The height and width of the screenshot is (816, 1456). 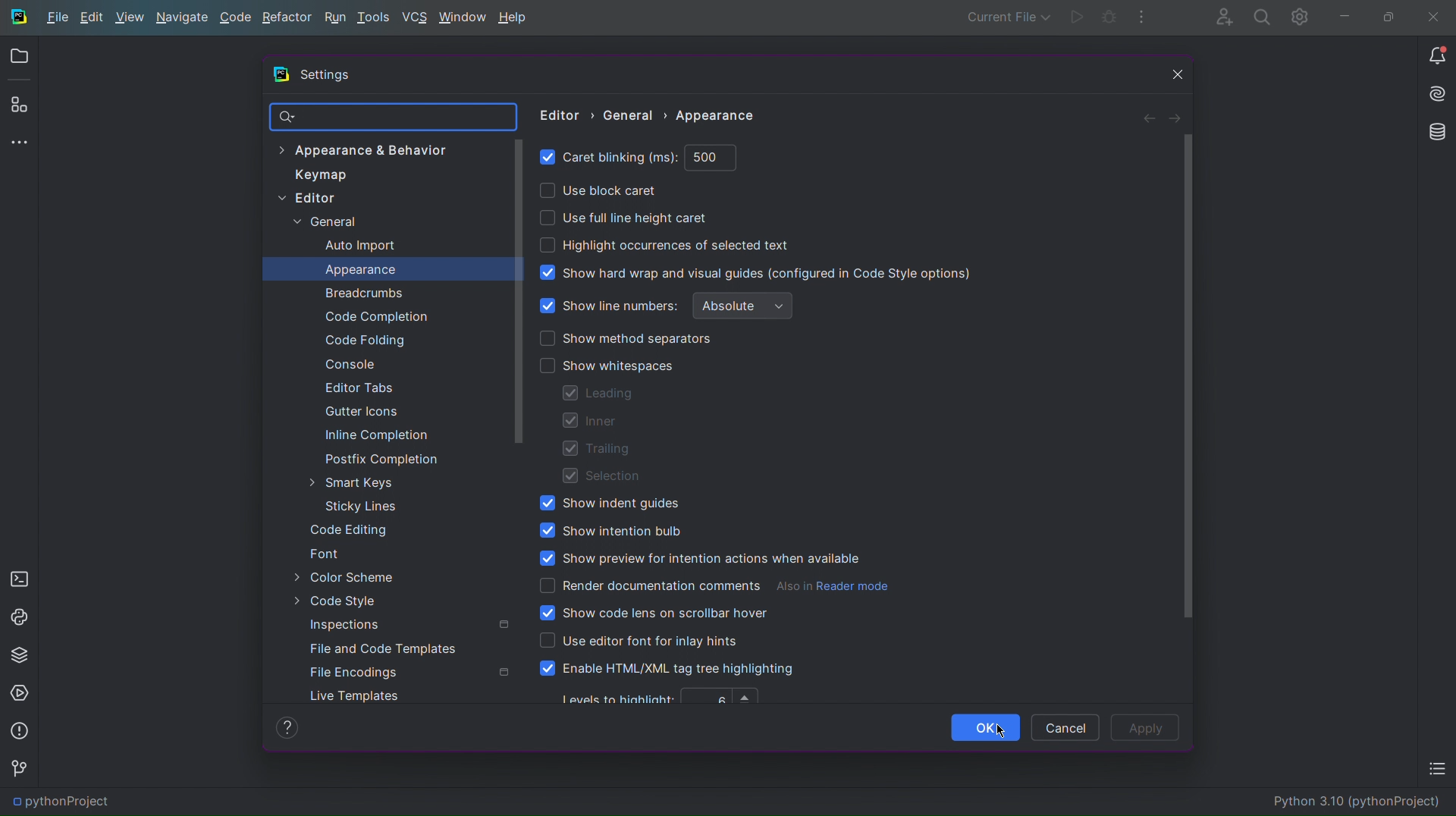 I want to click on Scrollbar, so click(x=521, y=291).